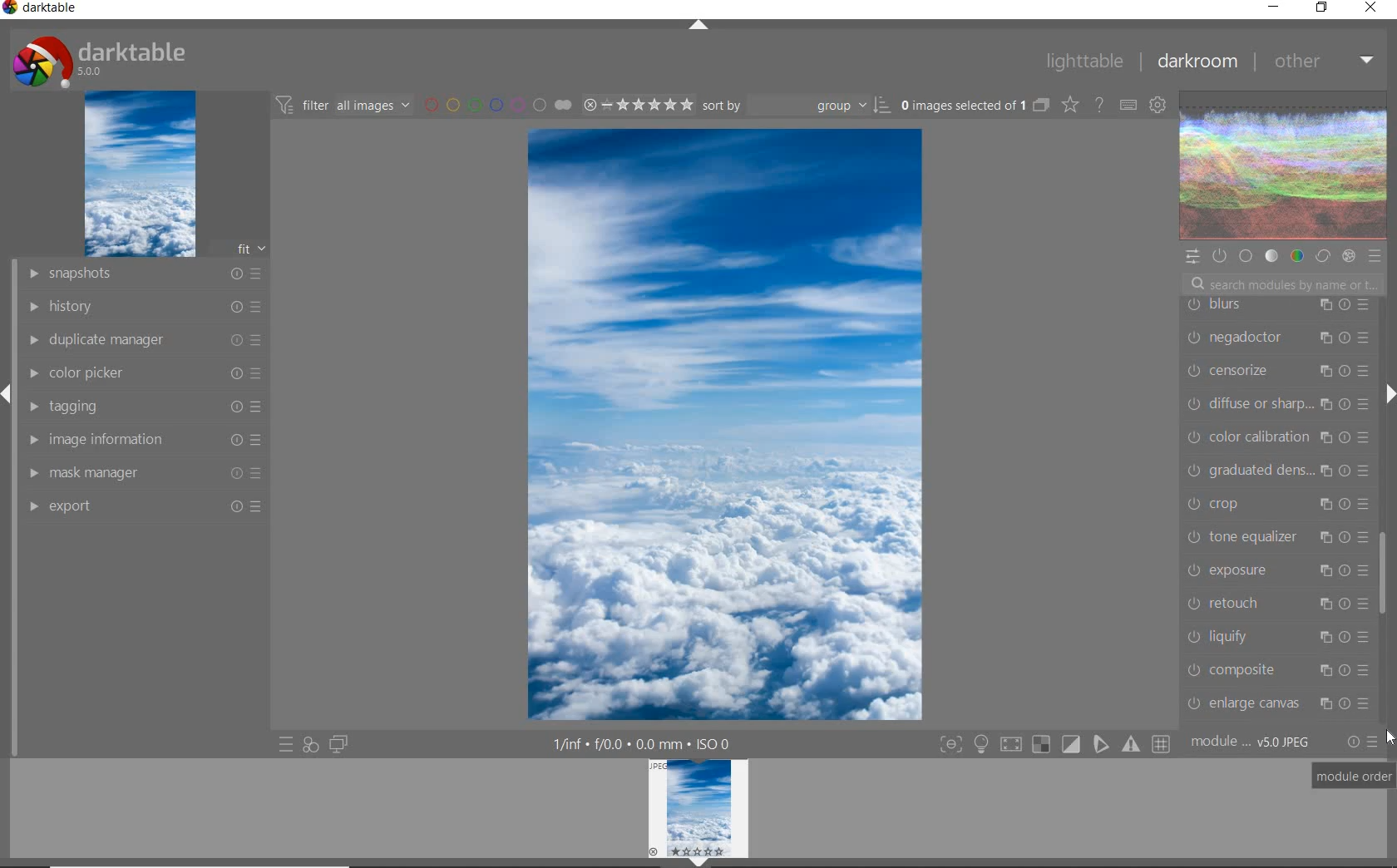 The image size is (1397, 868). Describe the element at coordinates (1247, 256) in the screenshot. I see `BASE` at that location.